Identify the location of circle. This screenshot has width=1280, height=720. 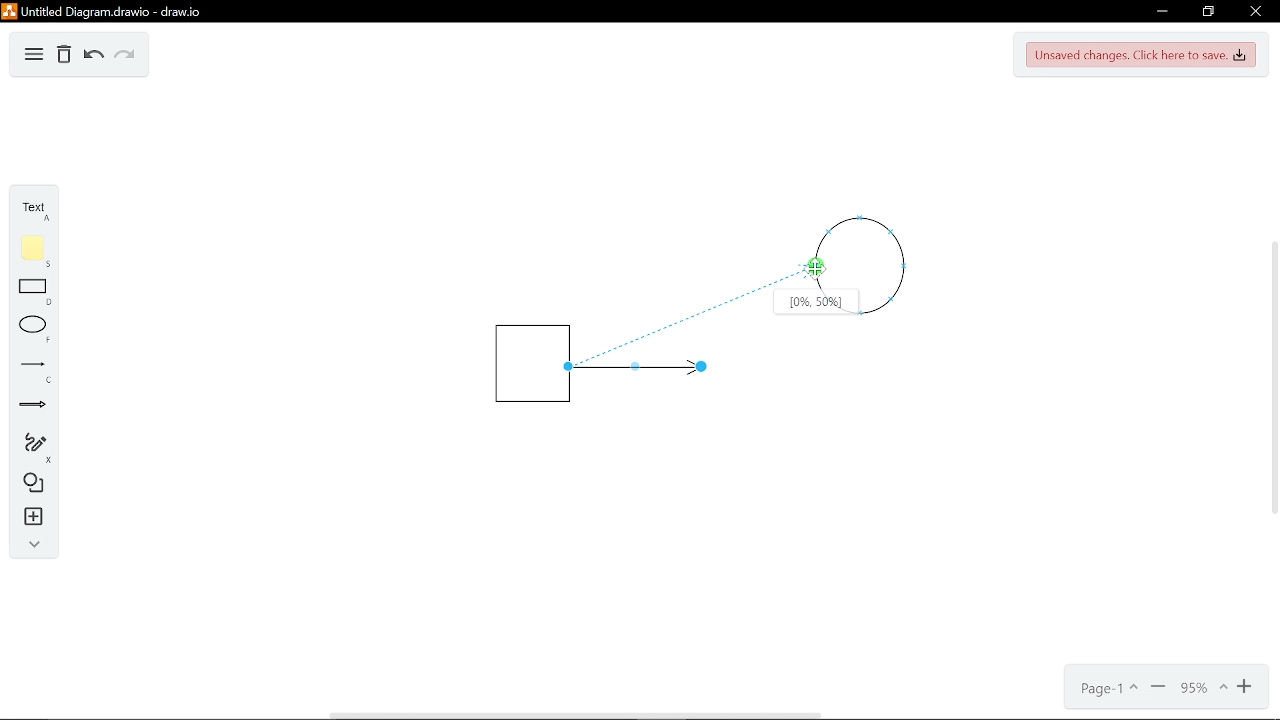
(887, 289).